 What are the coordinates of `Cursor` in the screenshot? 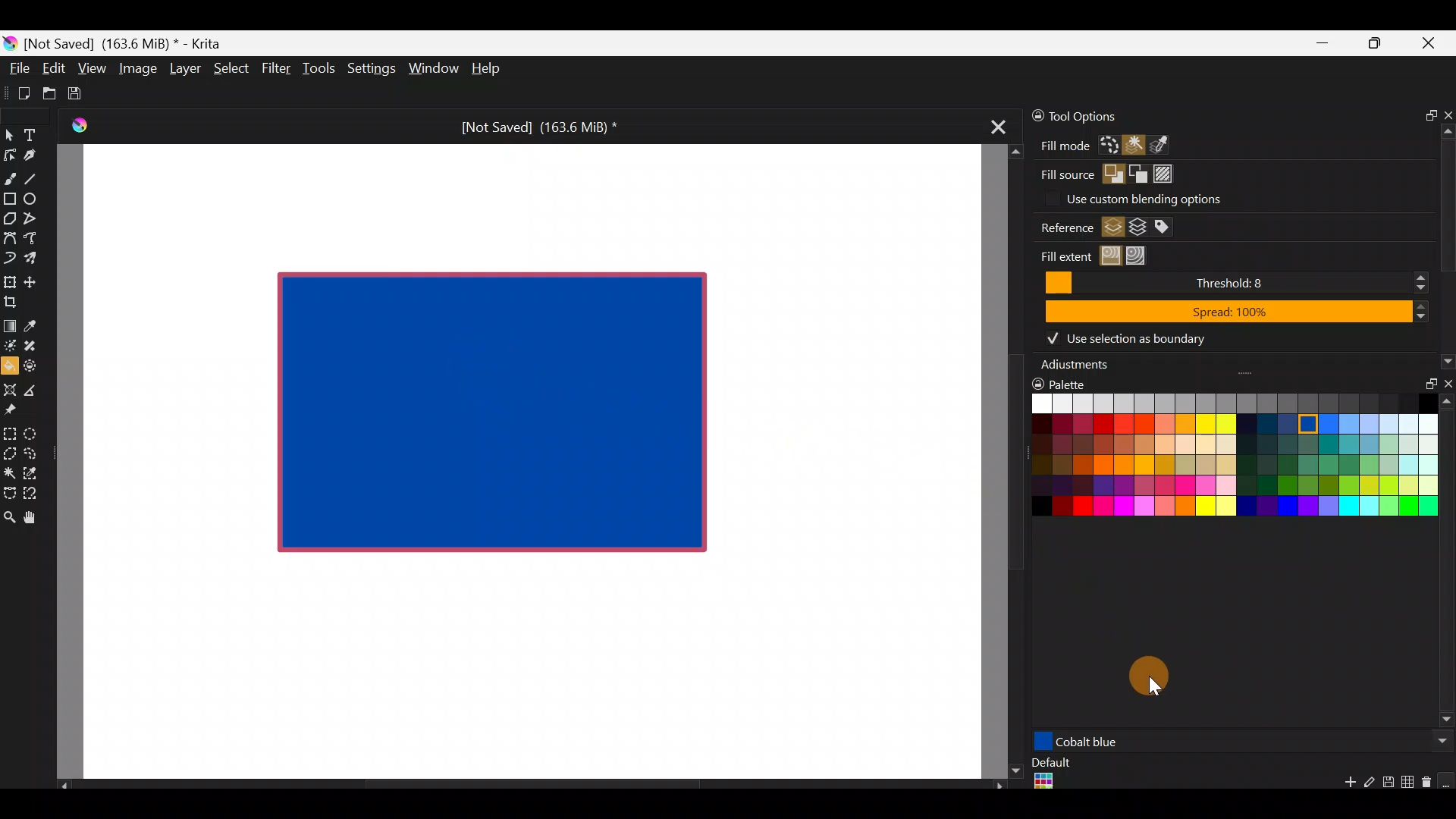 It's located at (1143, 676).